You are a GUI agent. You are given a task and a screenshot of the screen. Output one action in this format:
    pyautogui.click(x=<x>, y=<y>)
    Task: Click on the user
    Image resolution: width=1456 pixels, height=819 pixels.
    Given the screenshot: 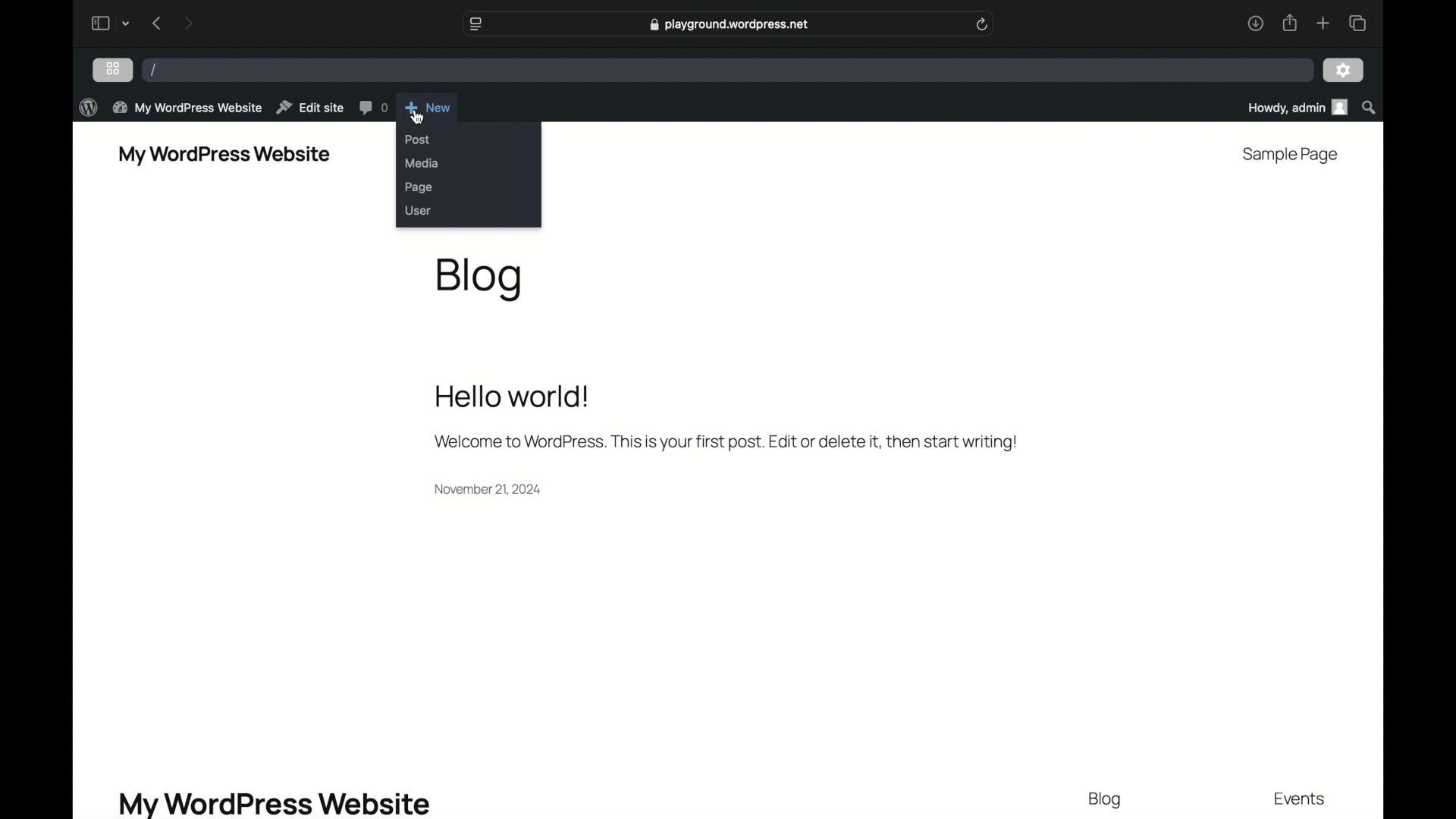 What is the action you would take?
    pyautogui.click(x=419, y=211)
    